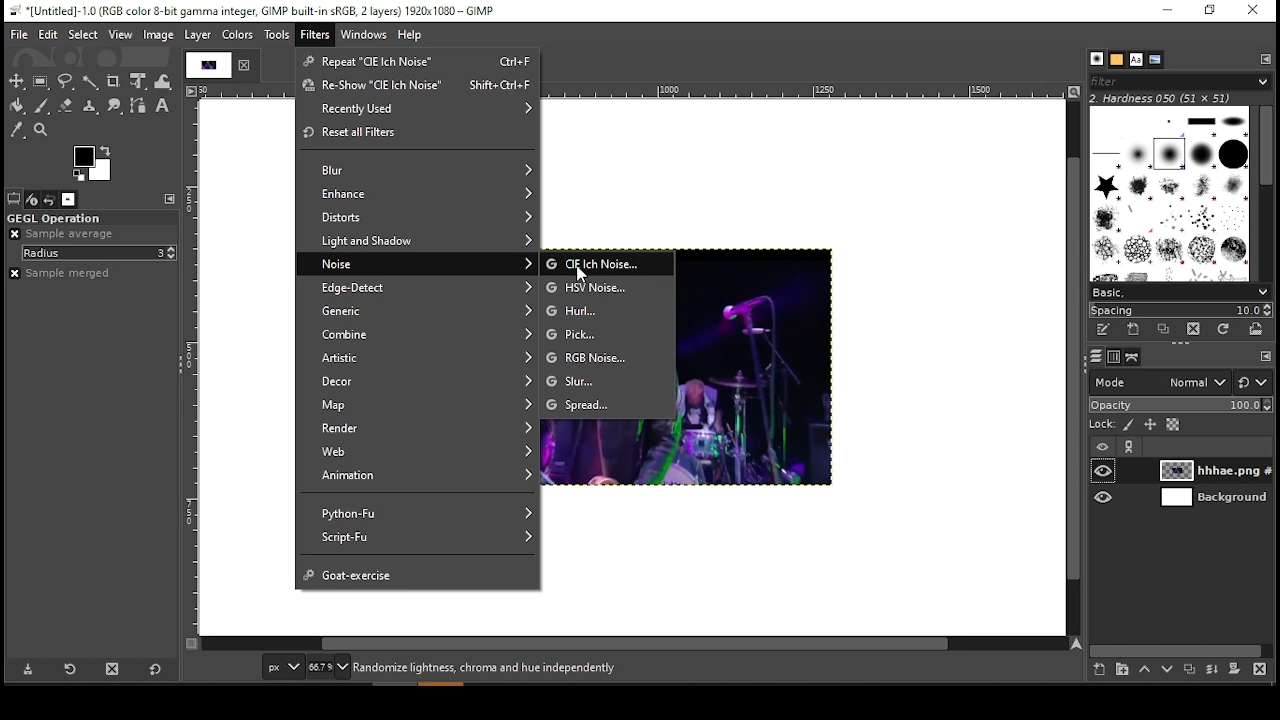 The height and width of the screenshot is (720, 1280). What do you see at coordinates (1166, 330) in the screenshot?
I see `duplicate this brush` at bounding box center [1166, 330].